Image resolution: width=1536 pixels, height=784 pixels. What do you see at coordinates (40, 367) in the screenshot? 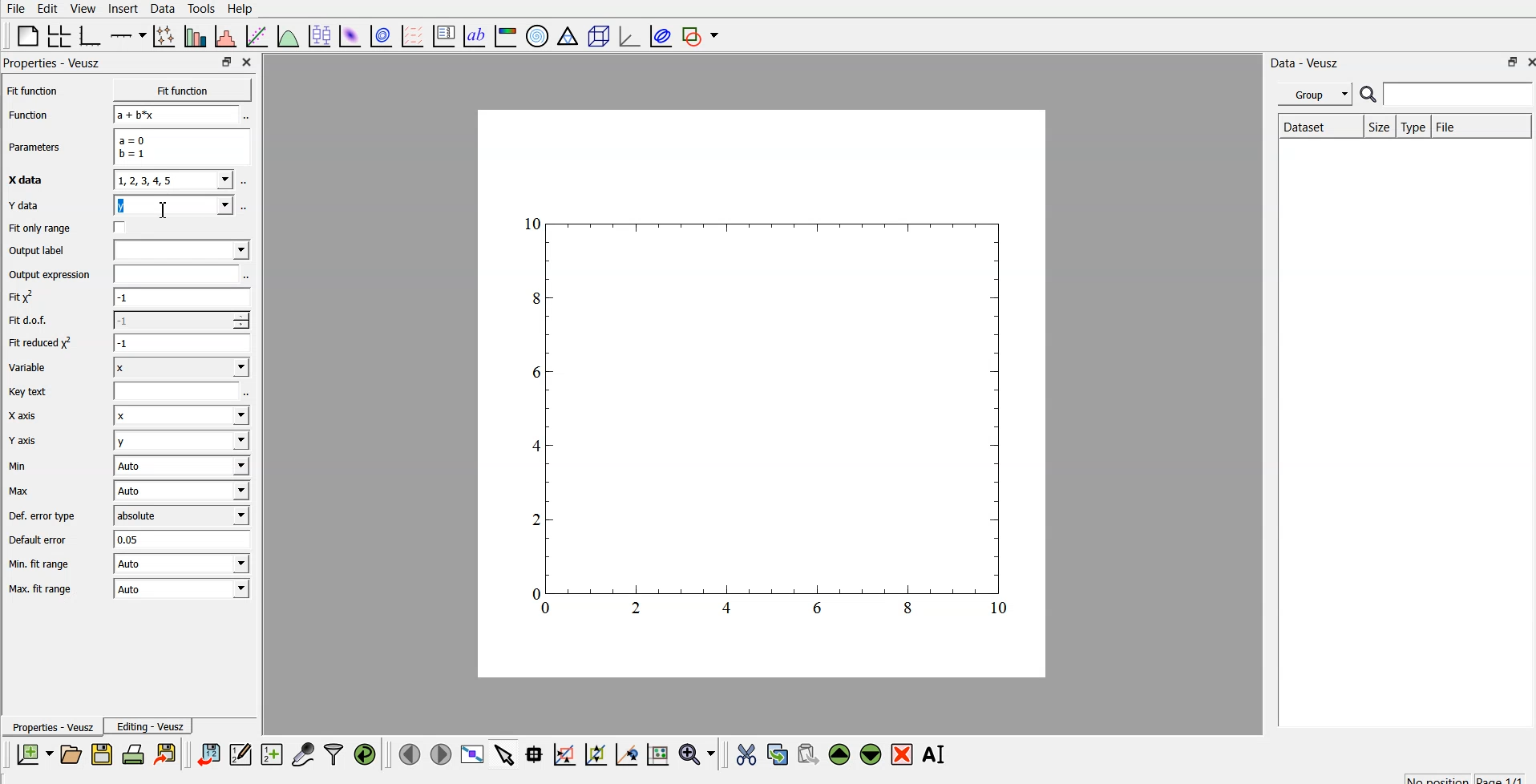
I see `Variable` at bounding box center [40, 367].